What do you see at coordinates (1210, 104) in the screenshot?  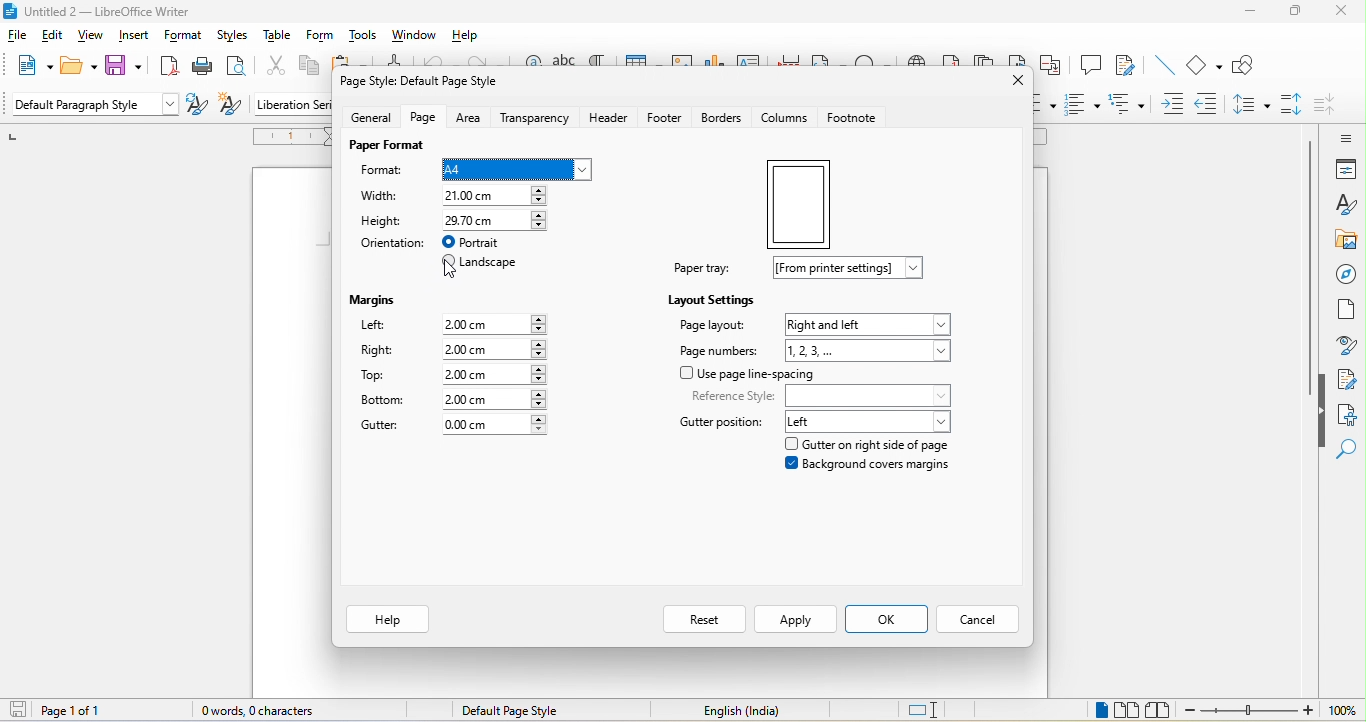 I see `decrease indent` at bounding box center [1210, 104].